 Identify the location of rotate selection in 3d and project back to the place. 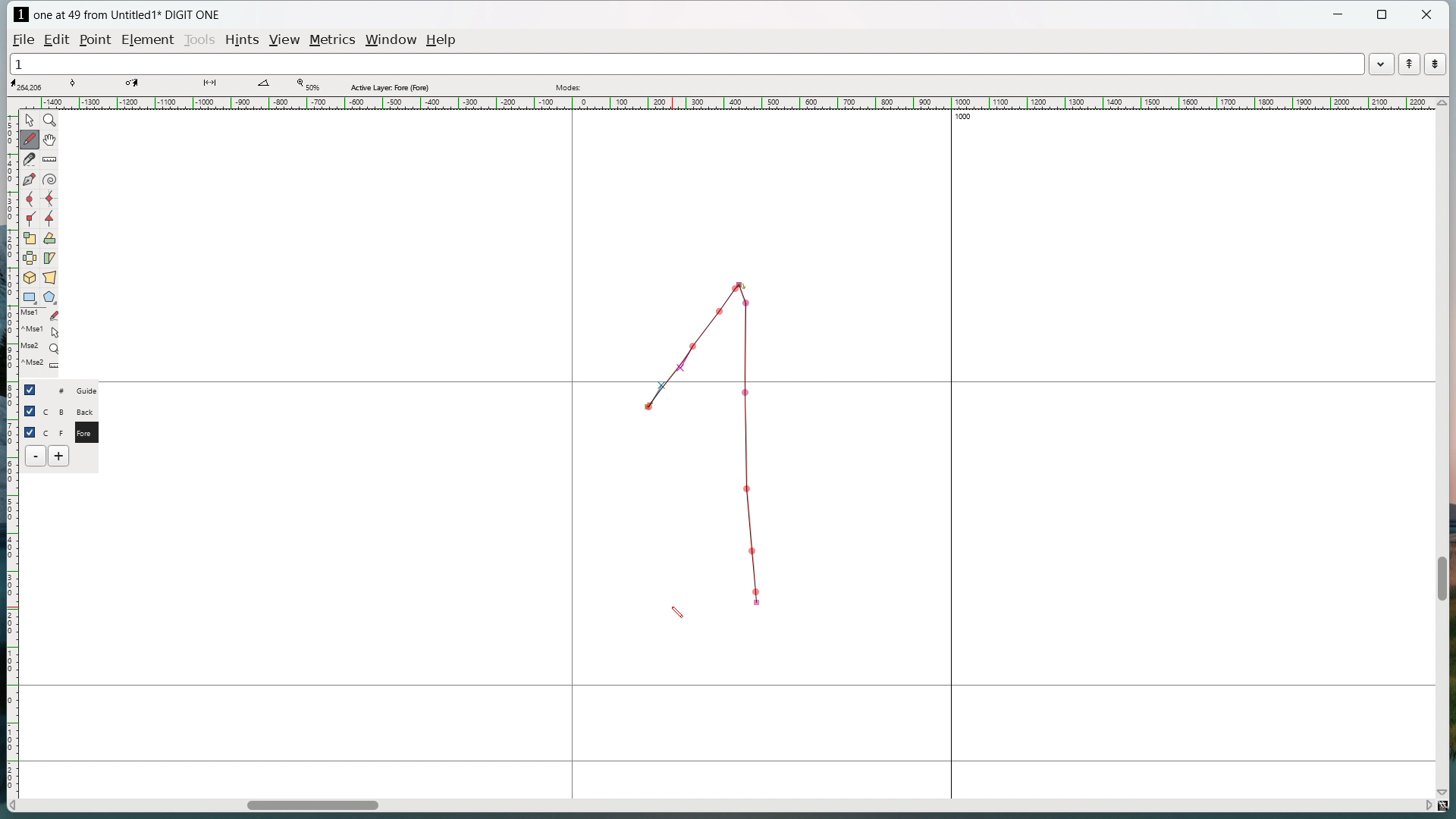
(30, 277).